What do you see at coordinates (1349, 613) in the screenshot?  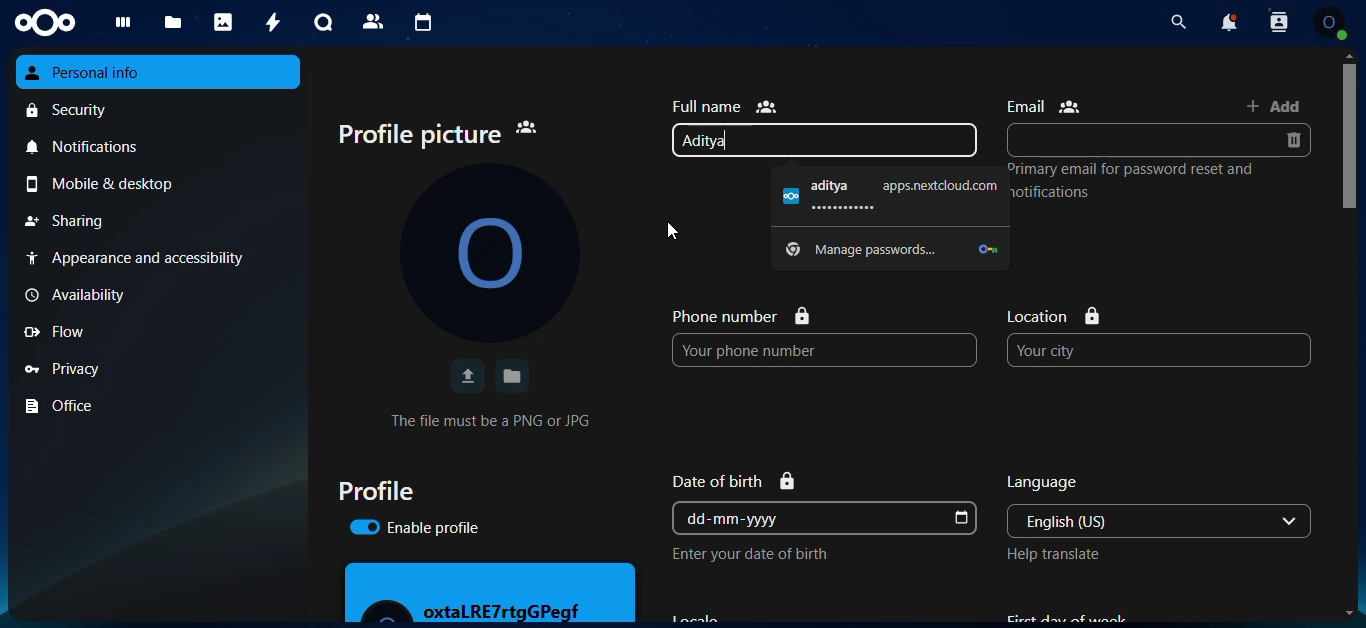 I see `scroll down` at bounding box center [1349, 613].